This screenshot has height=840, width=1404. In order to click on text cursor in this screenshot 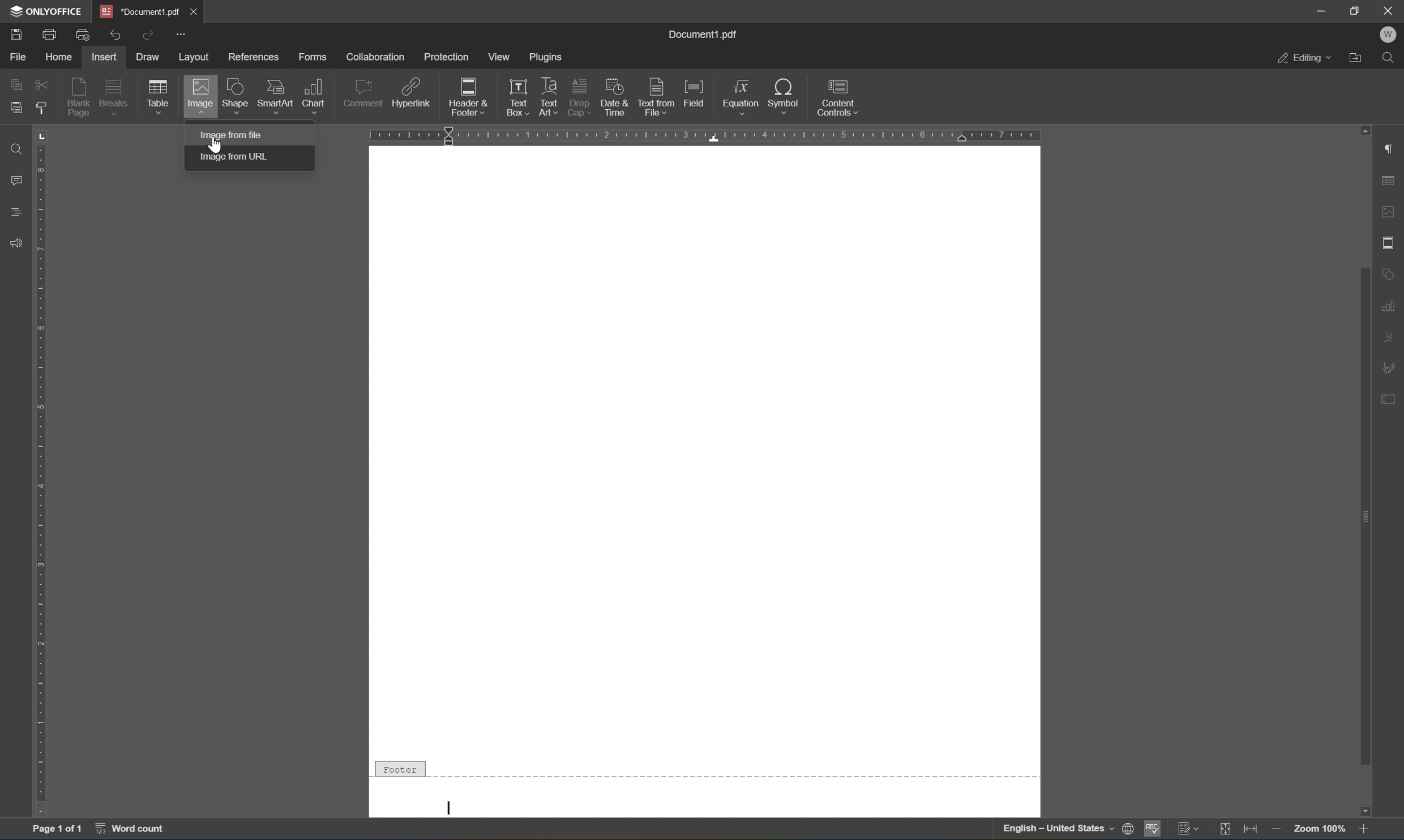, I will do `click(449, 803)`.